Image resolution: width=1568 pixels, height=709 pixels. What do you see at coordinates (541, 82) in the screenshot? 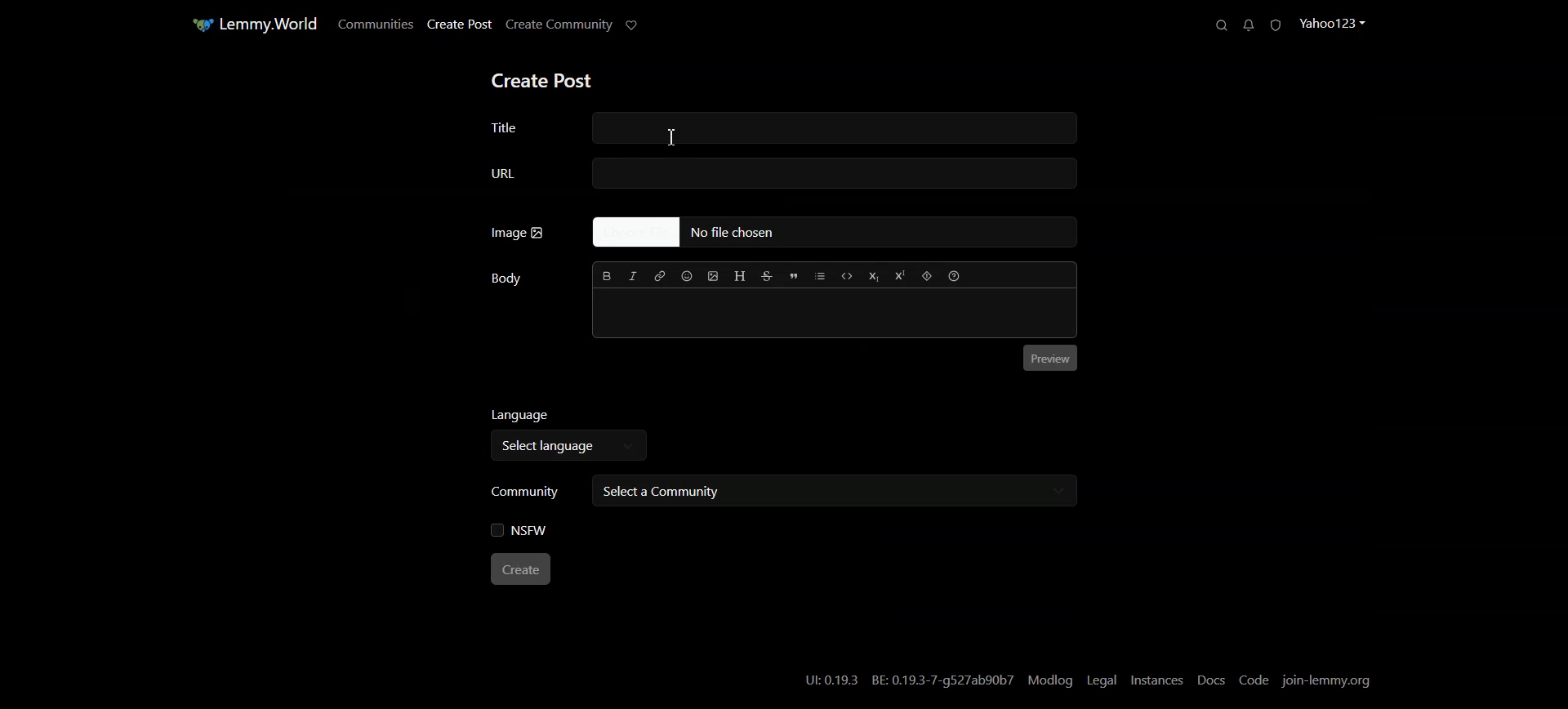
I see `Create Post` at bounding box center [541, 82].